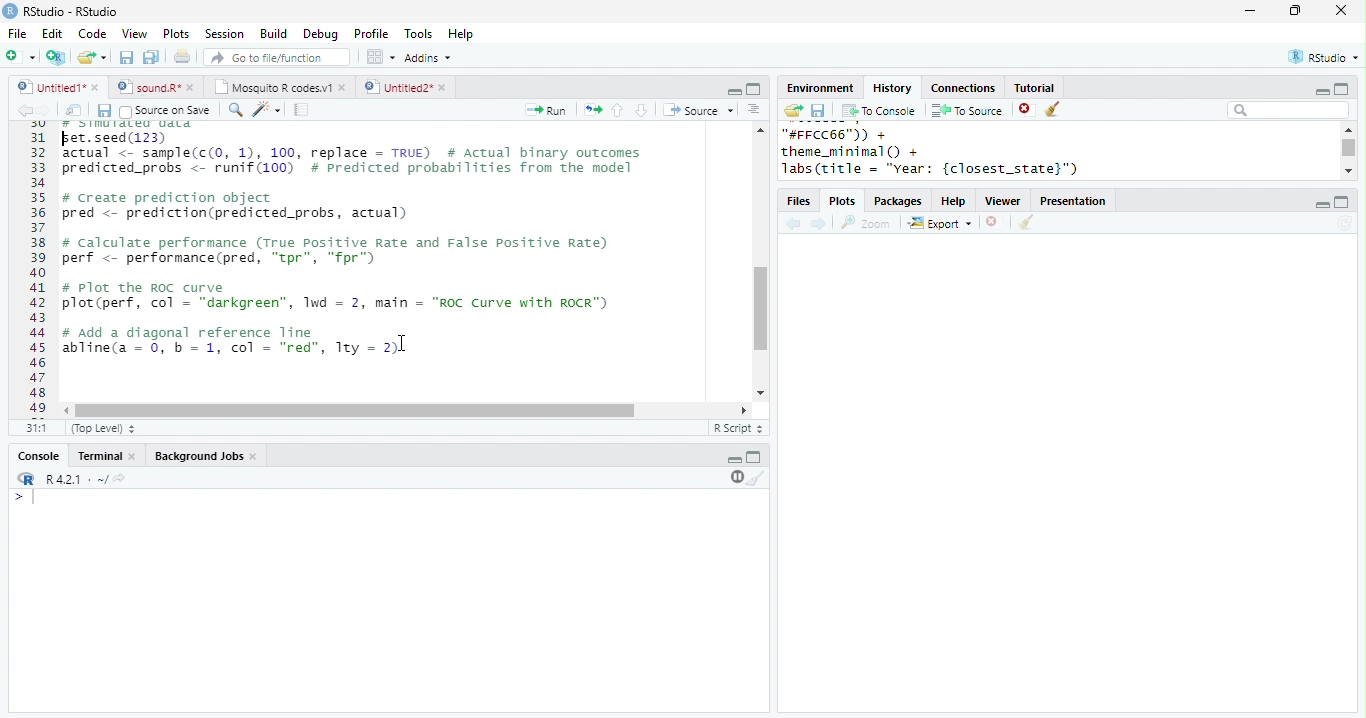 The height and width of the screenshot is (718, 1366). Describe the element at coordinates (1347, 129) in the screenshot. I see `scroll up` at that location.